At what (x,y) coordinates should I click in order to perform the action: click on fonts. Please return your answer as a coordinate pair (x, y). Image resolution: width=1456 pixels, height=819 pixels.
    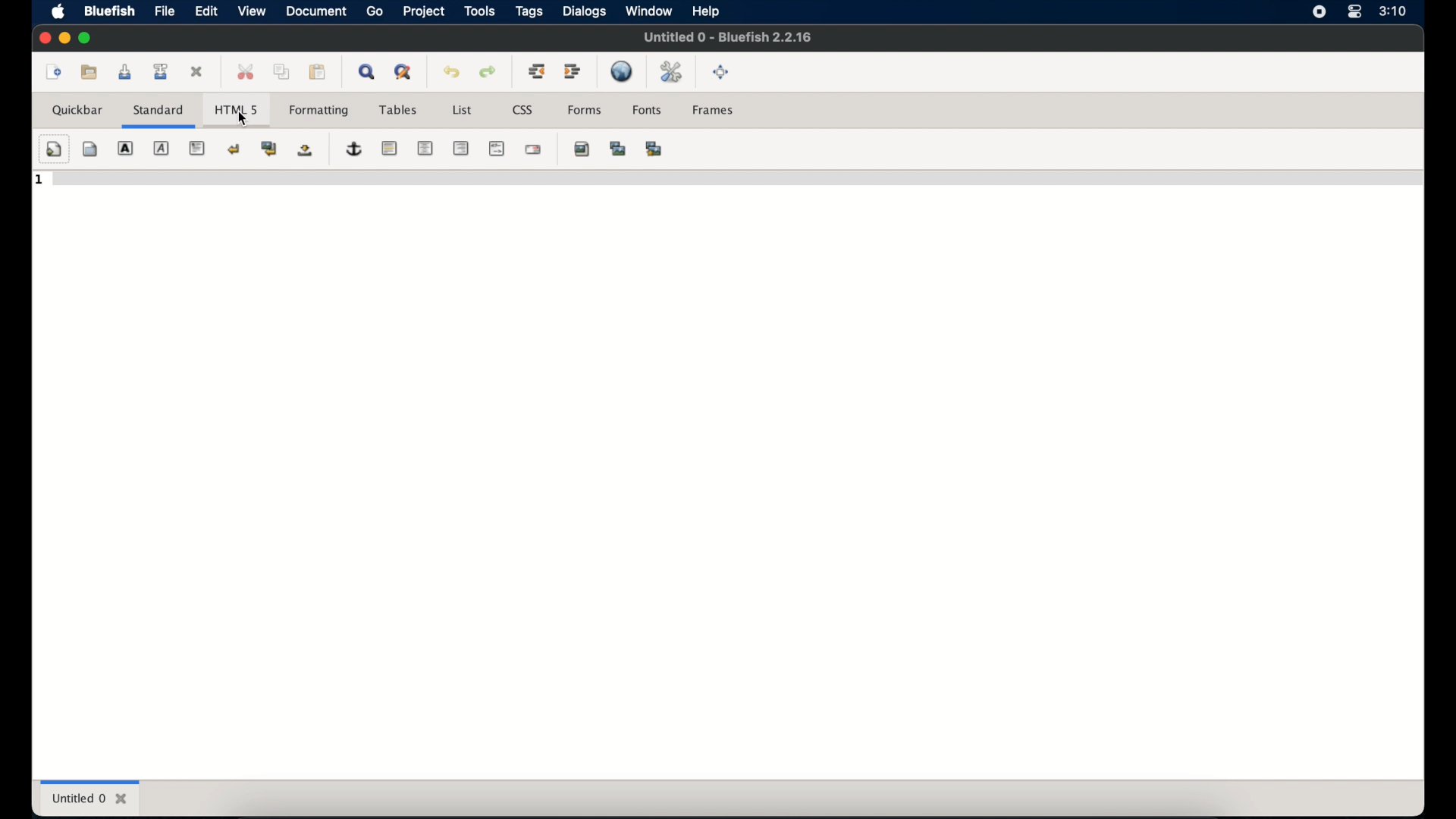
    Looking at the image, I should click on (648, 110).